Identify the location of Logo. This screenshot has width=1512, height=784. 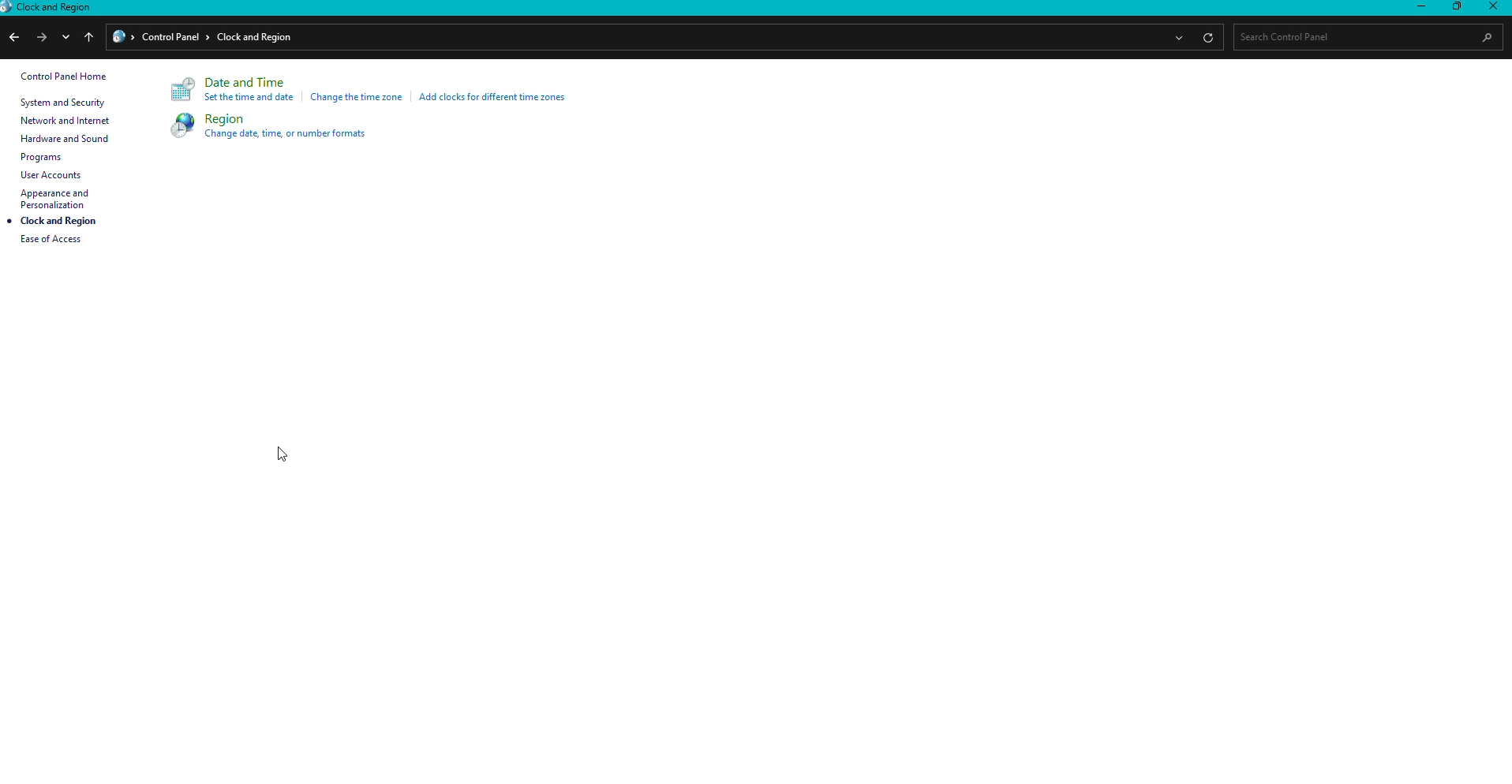
(182, 91).